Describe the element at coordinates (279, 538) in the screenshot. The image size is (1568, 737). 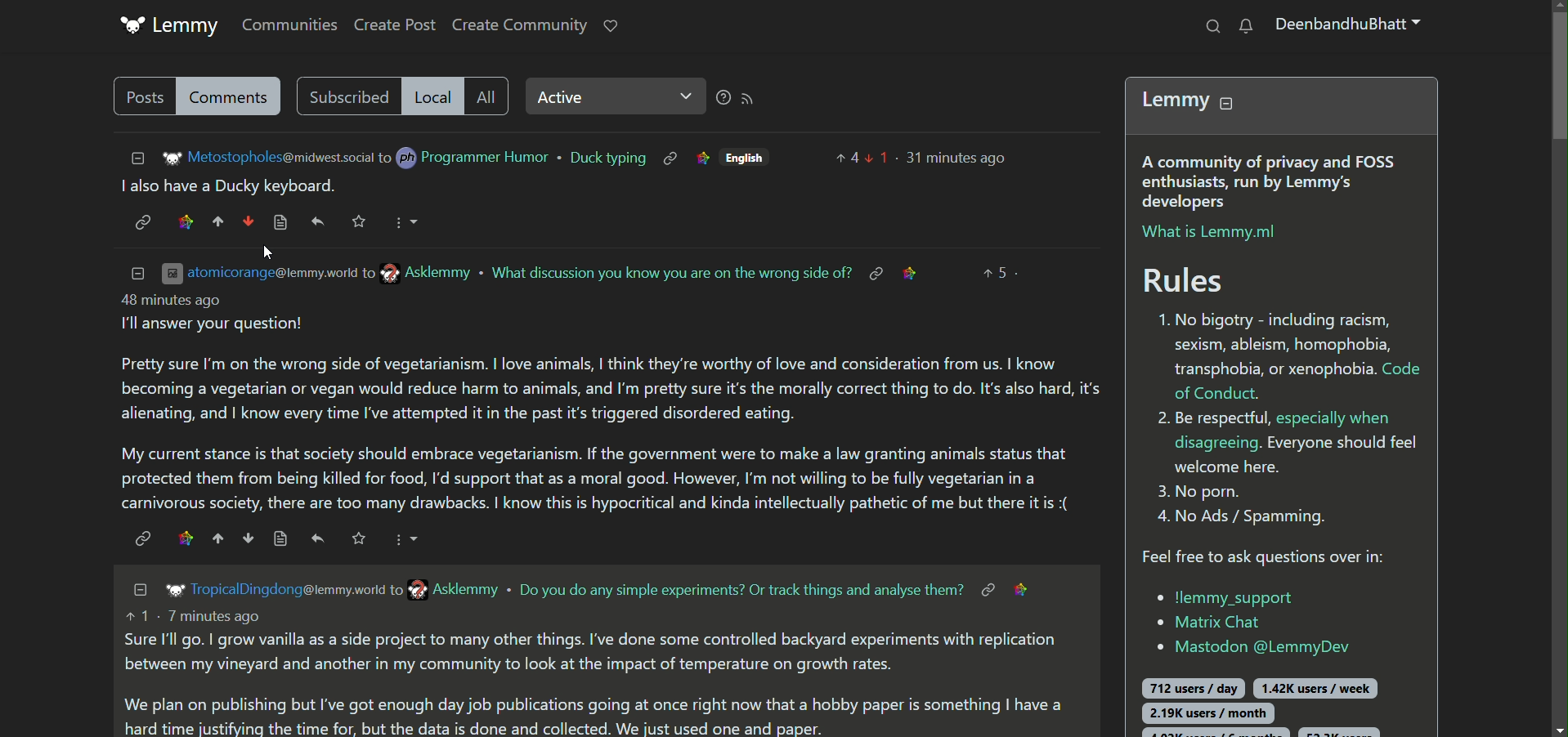
I see `page` at that location.